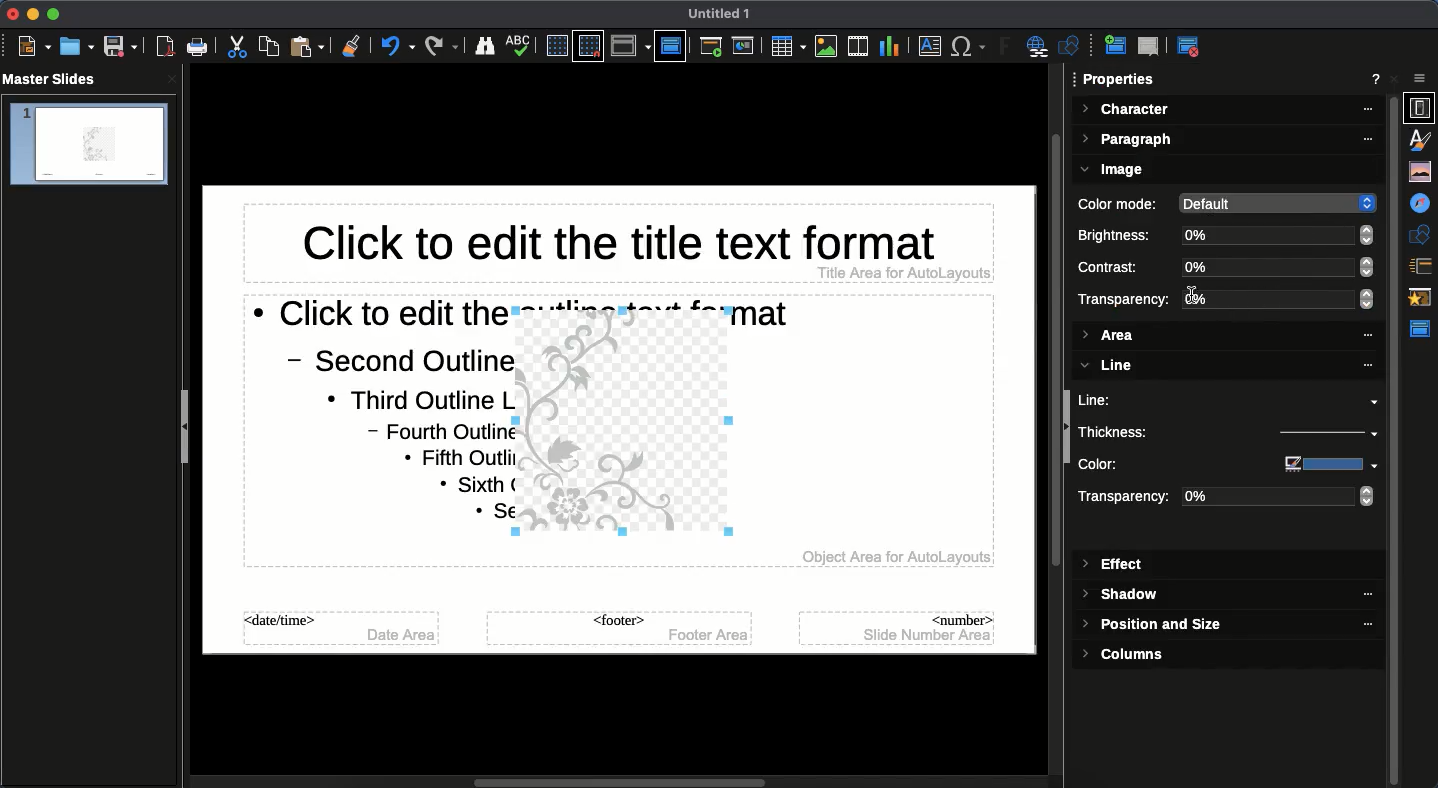 The image size is (1438, 788). Describe the element at coordinates (172, 79) in the screenshot. I see `close` at that location.